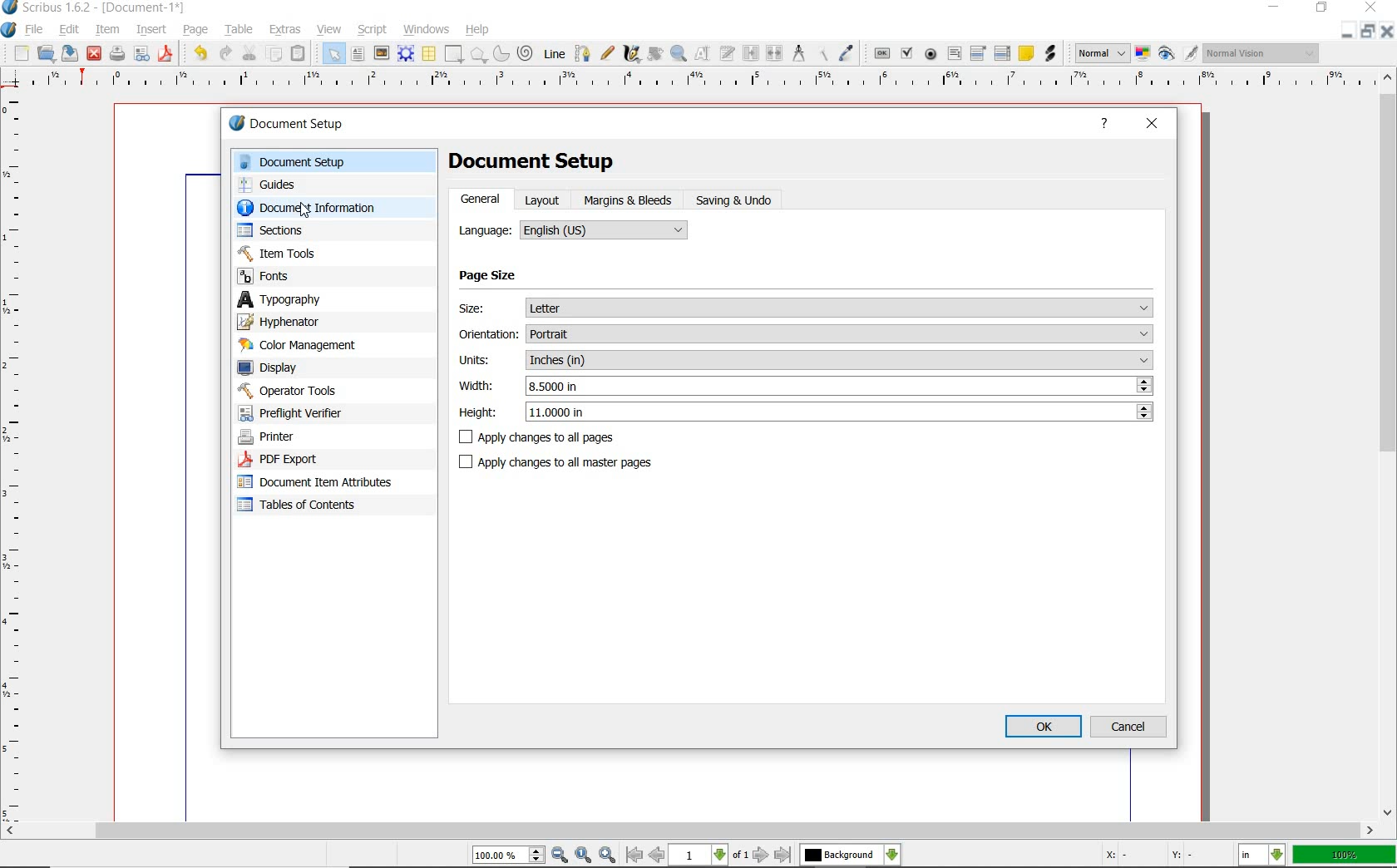 This screenshot has height=868, width=1397. What do you see at coordinates (821, 54) in the screenshot?
I see `copy item properties` at bounding box center [821, 54].